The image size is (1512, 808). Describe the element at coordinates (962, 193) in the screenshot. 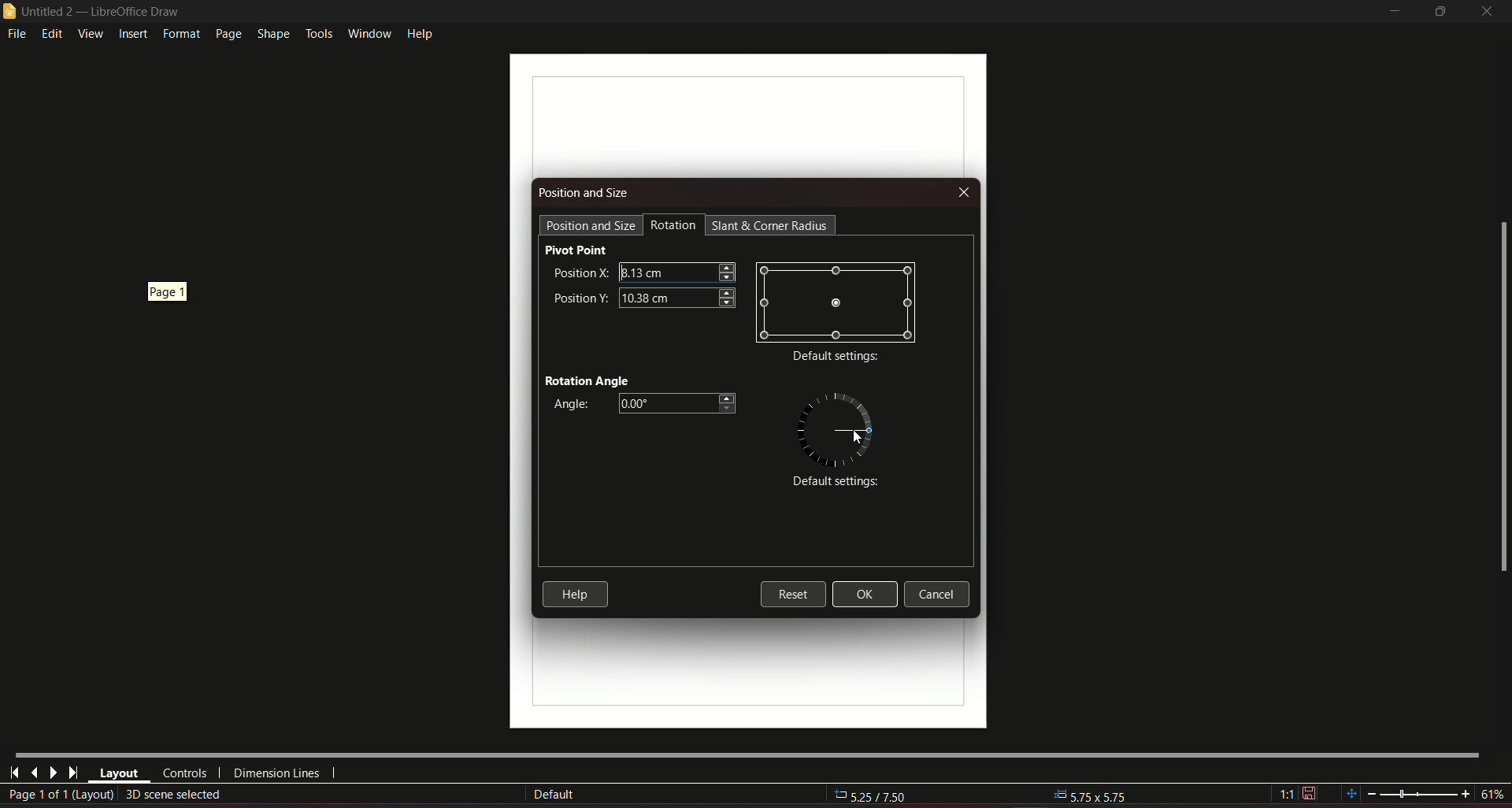

I see `Close` at that location.